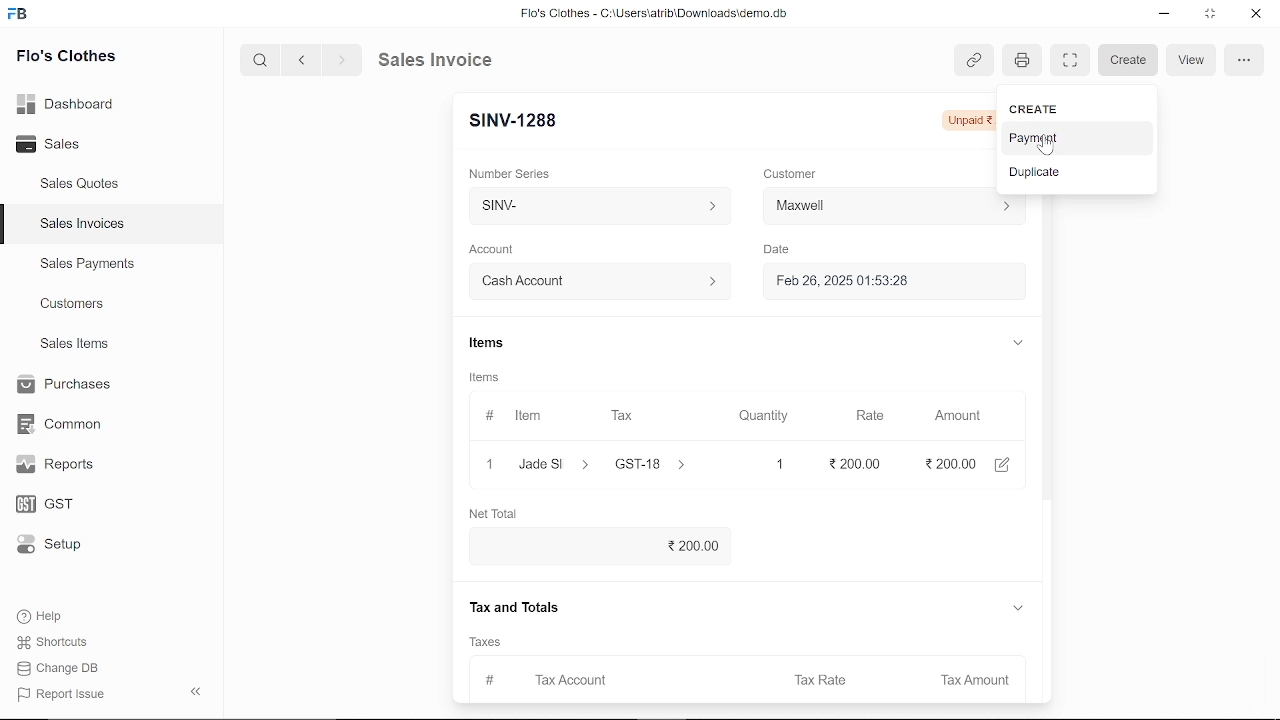  I want to click on options, so click(1243, 59).